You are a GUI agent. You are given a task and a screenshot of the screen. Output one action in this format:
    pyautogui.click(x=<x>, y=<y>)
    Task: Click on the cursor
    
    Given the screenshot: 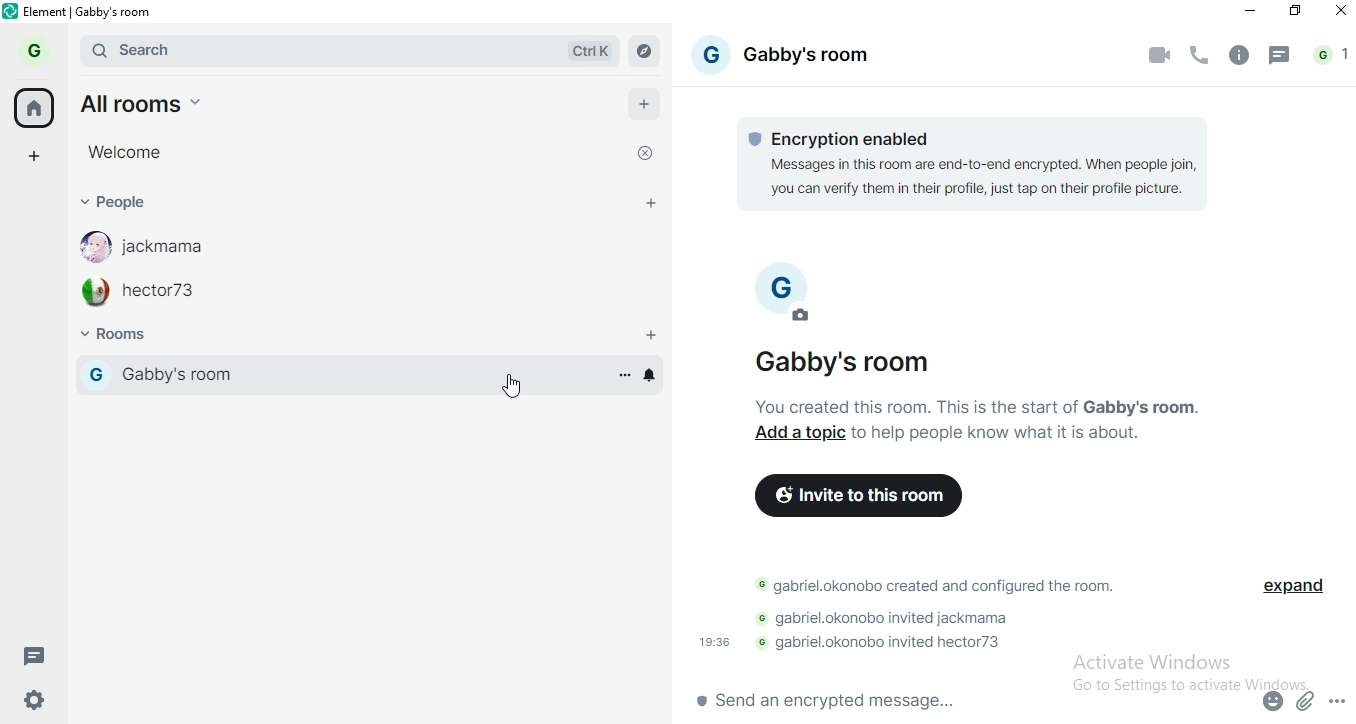 What is the action you would take?
    pyautogui.click(x=511, y=386)
    